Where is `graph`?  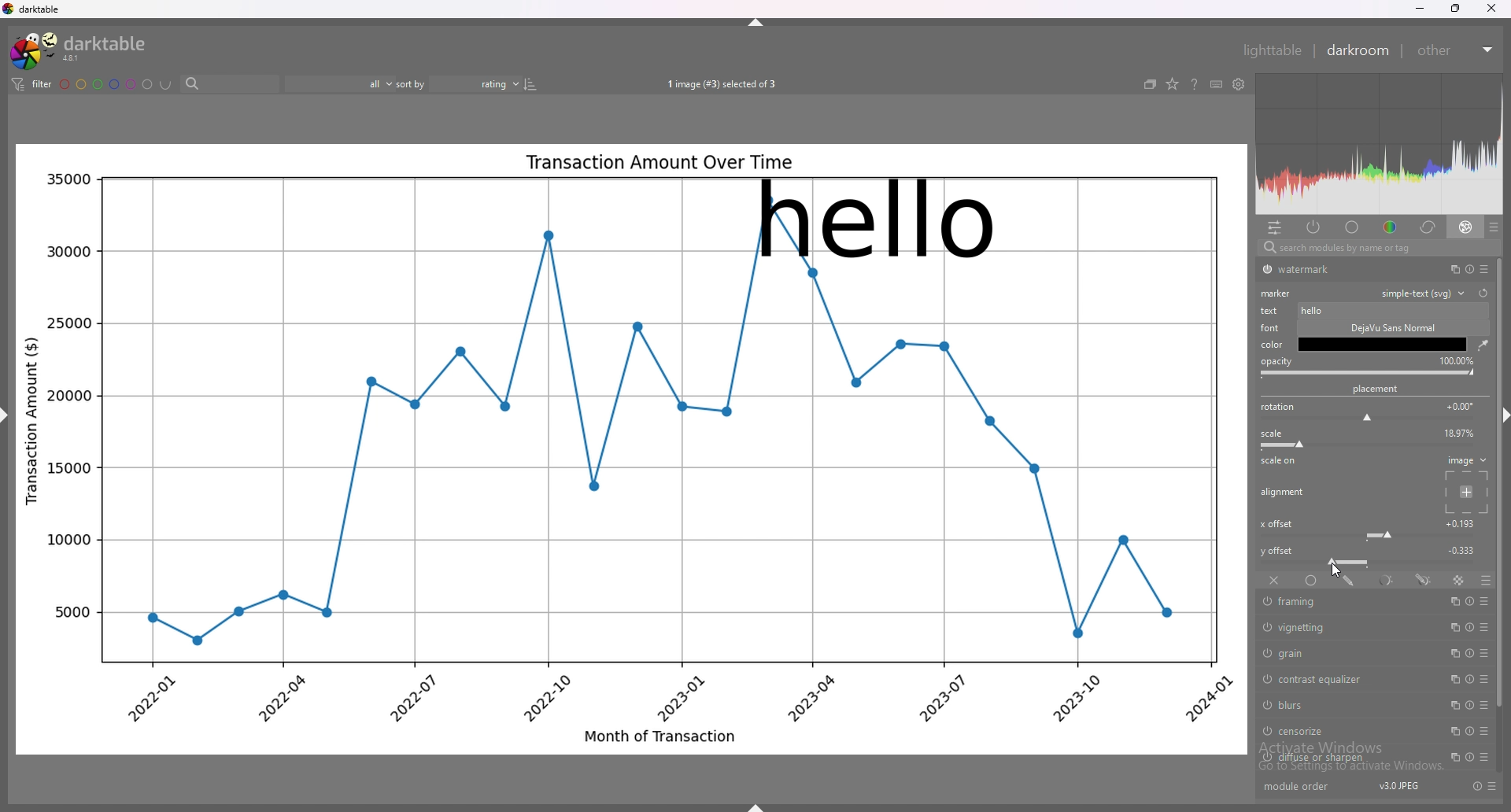
graph is located at coordinates (380, 201).